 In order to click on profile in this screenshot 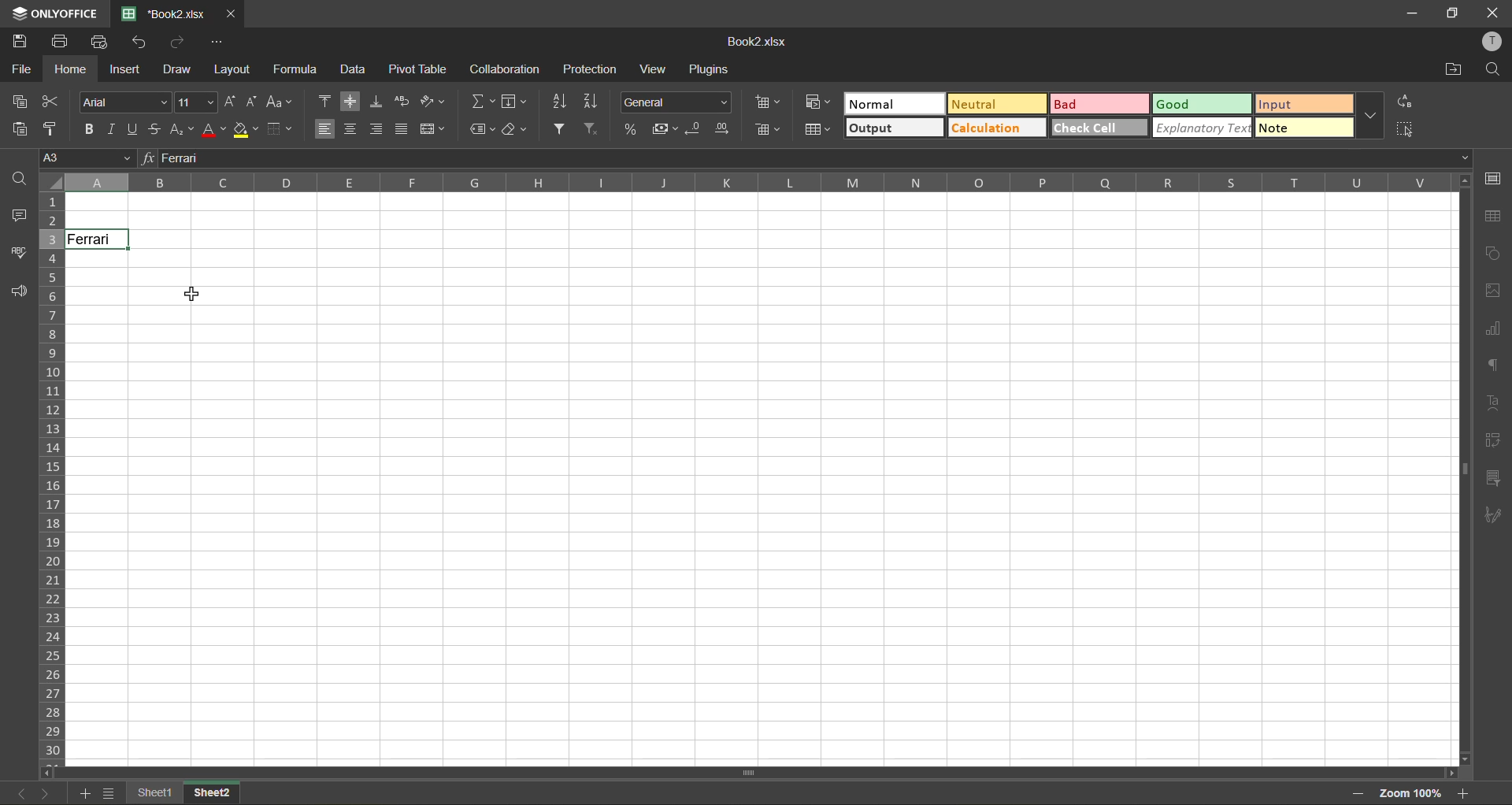, I will do `click(1494, 43)`.